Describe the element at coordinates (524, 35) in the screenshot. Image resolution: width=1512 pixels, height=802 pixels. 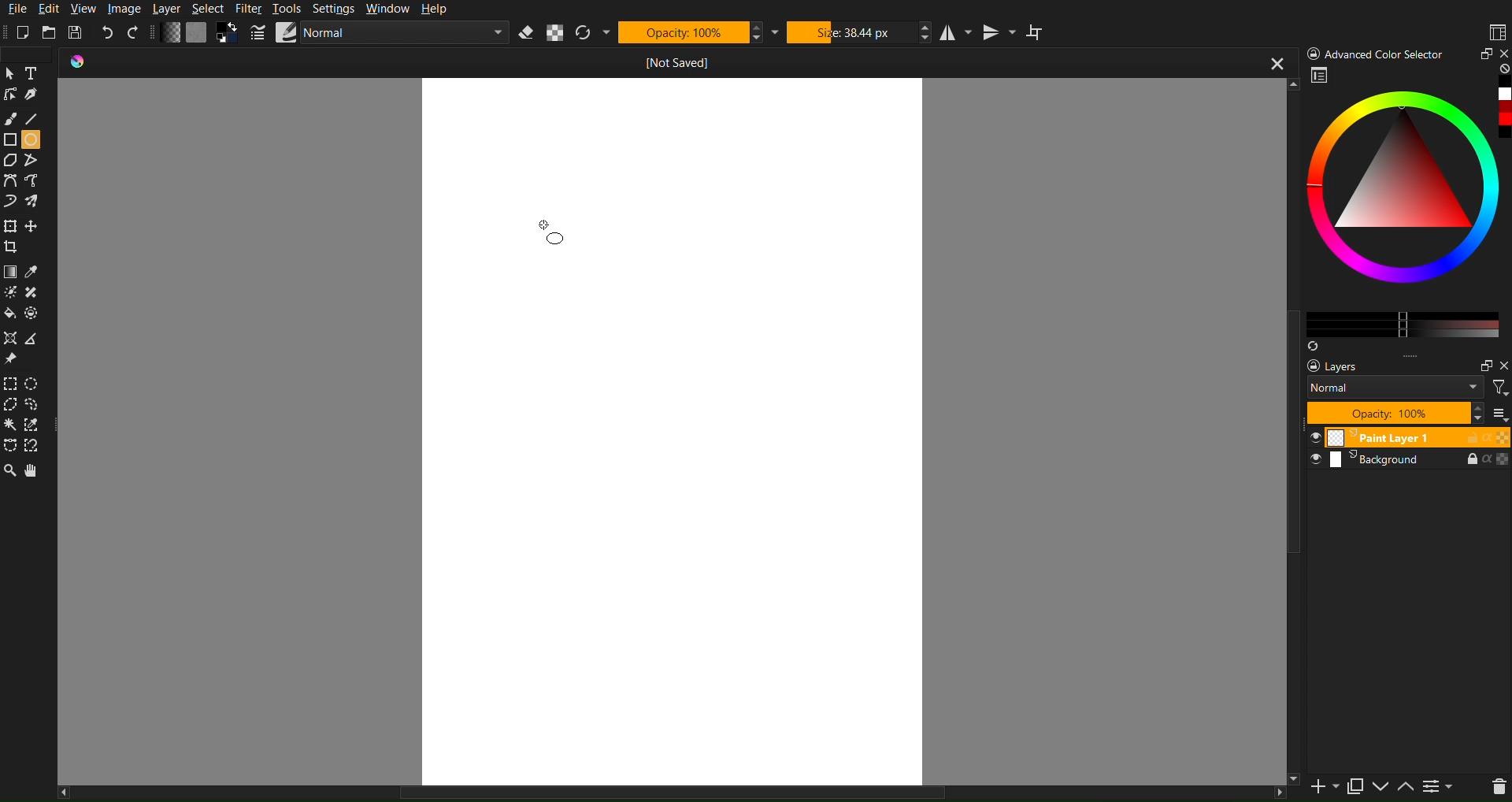
I see `Erase` at that location.